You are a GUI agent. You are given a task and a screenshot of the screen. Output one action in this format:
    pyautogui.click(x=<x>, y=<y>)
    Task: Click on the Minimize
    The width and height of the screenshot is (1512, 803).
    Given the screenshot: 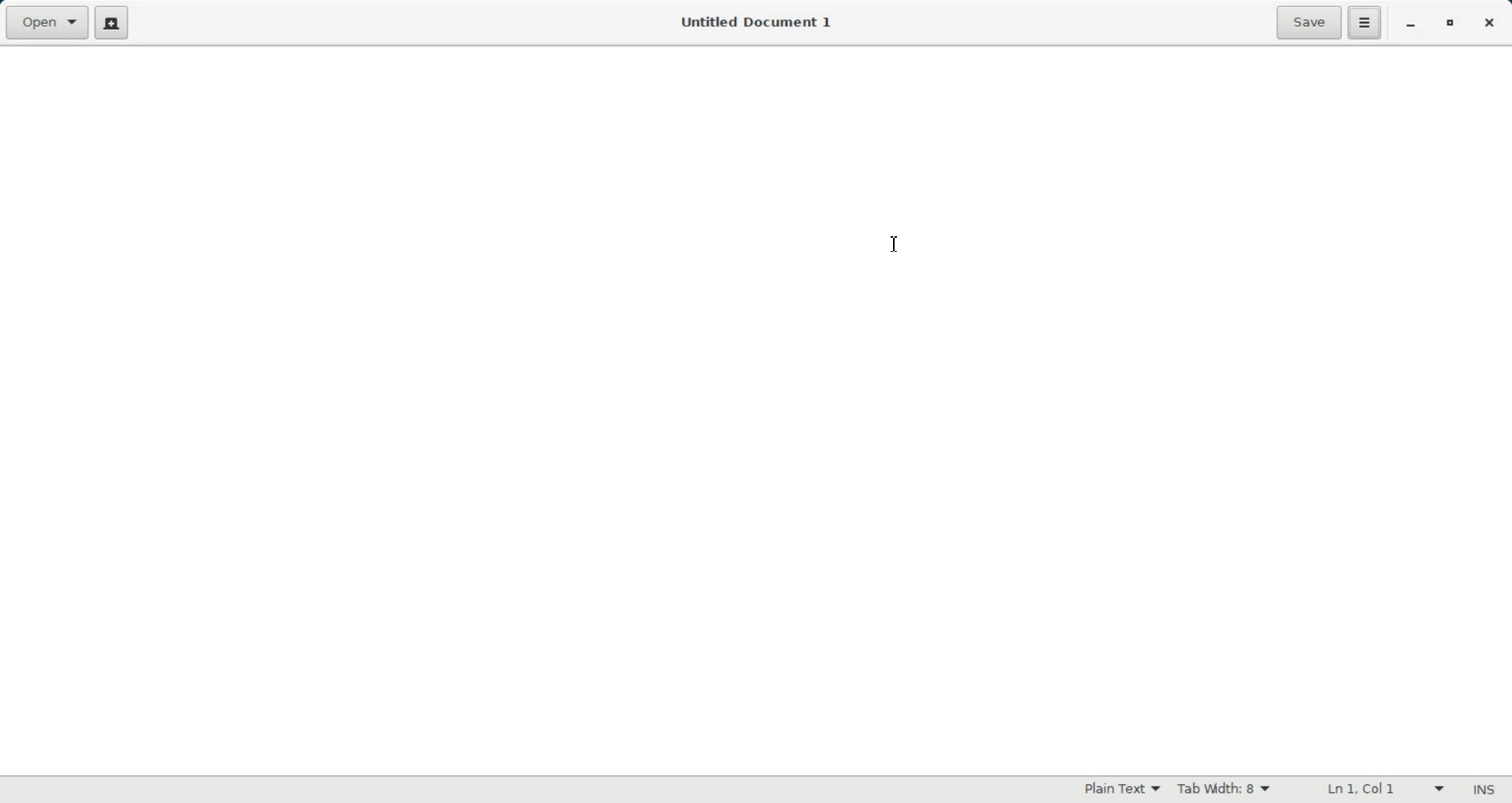 What is the action you would take?
    pyautogui.click(x=1411, y=24)
    